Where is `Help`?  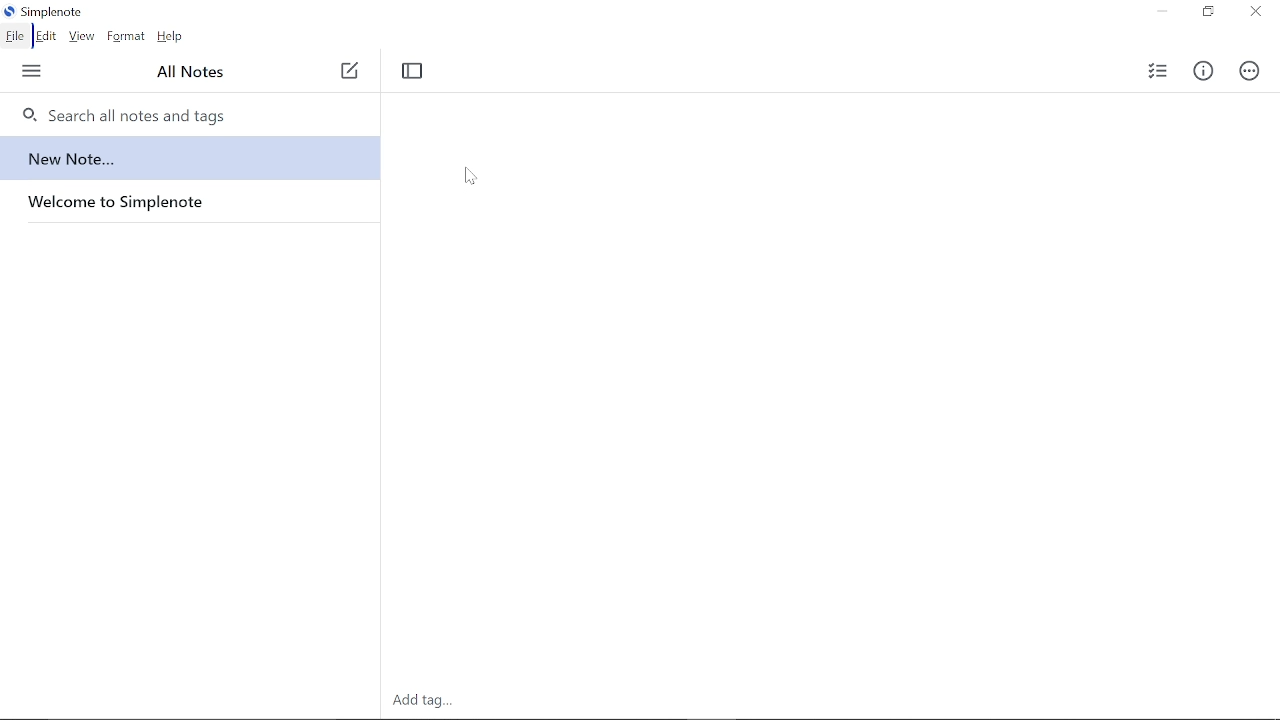 Help is located at coordinates (174, 38).